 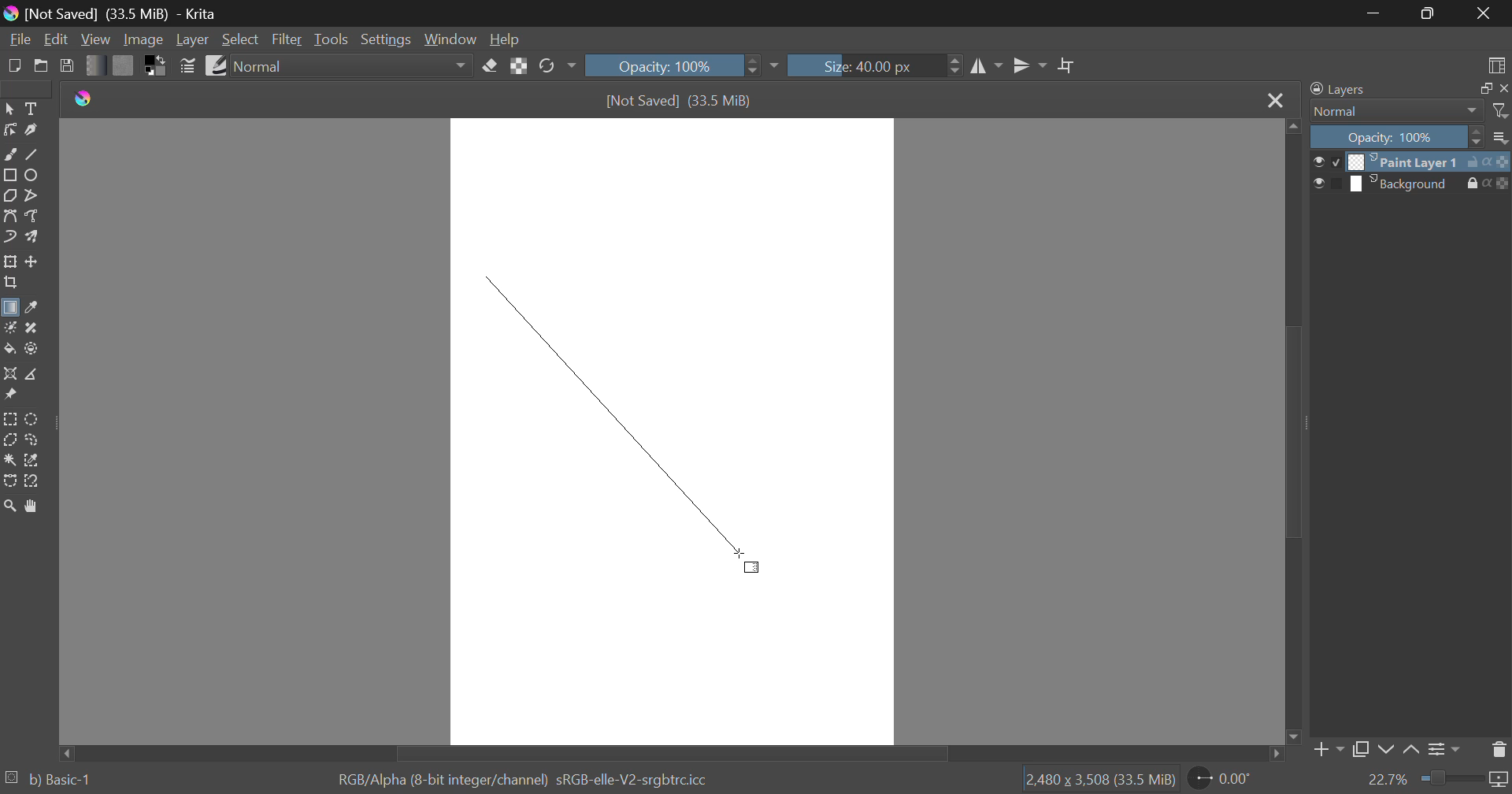 What do you see at coordinates (124, 65) in the screenshot?
I see `Pattern` at bounding box center [124, 65].